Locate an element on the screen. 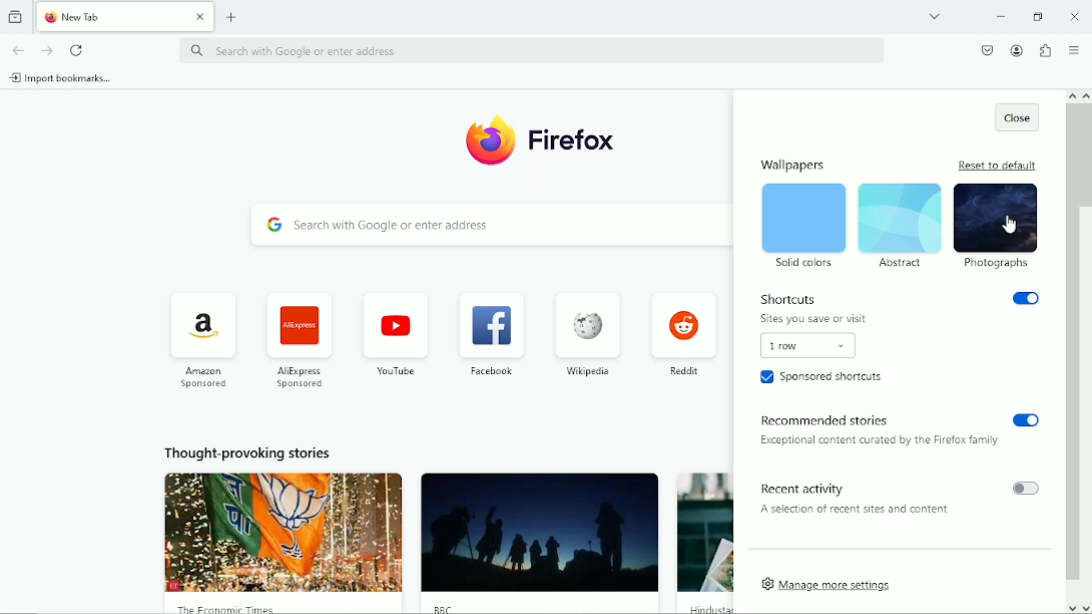 This screenshot has height=614, width=1092. Scroll bar is located at coordinates (1085, 175).